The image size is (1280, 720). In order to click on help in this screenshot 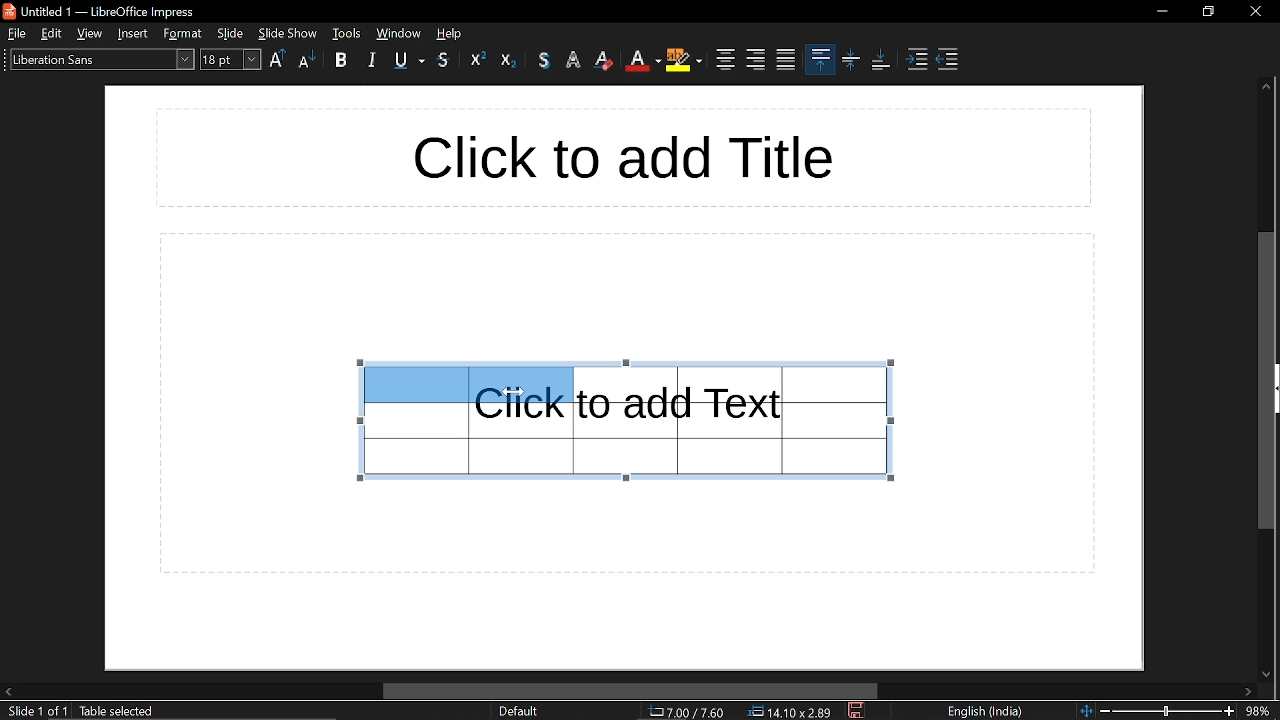, I will do `click(452, 33)`.